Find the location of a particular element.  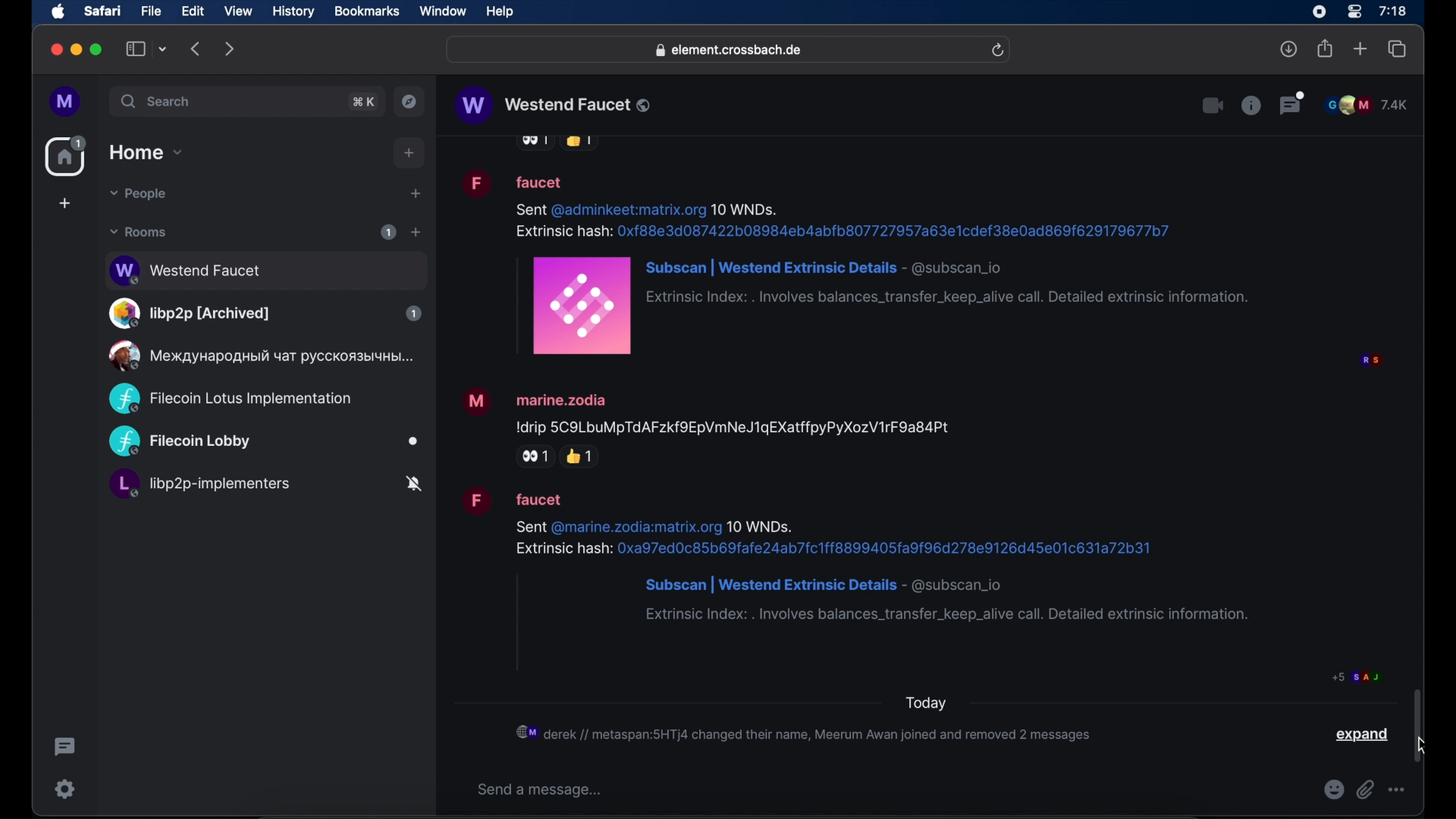

participants is located at coordinates (1357, 676).